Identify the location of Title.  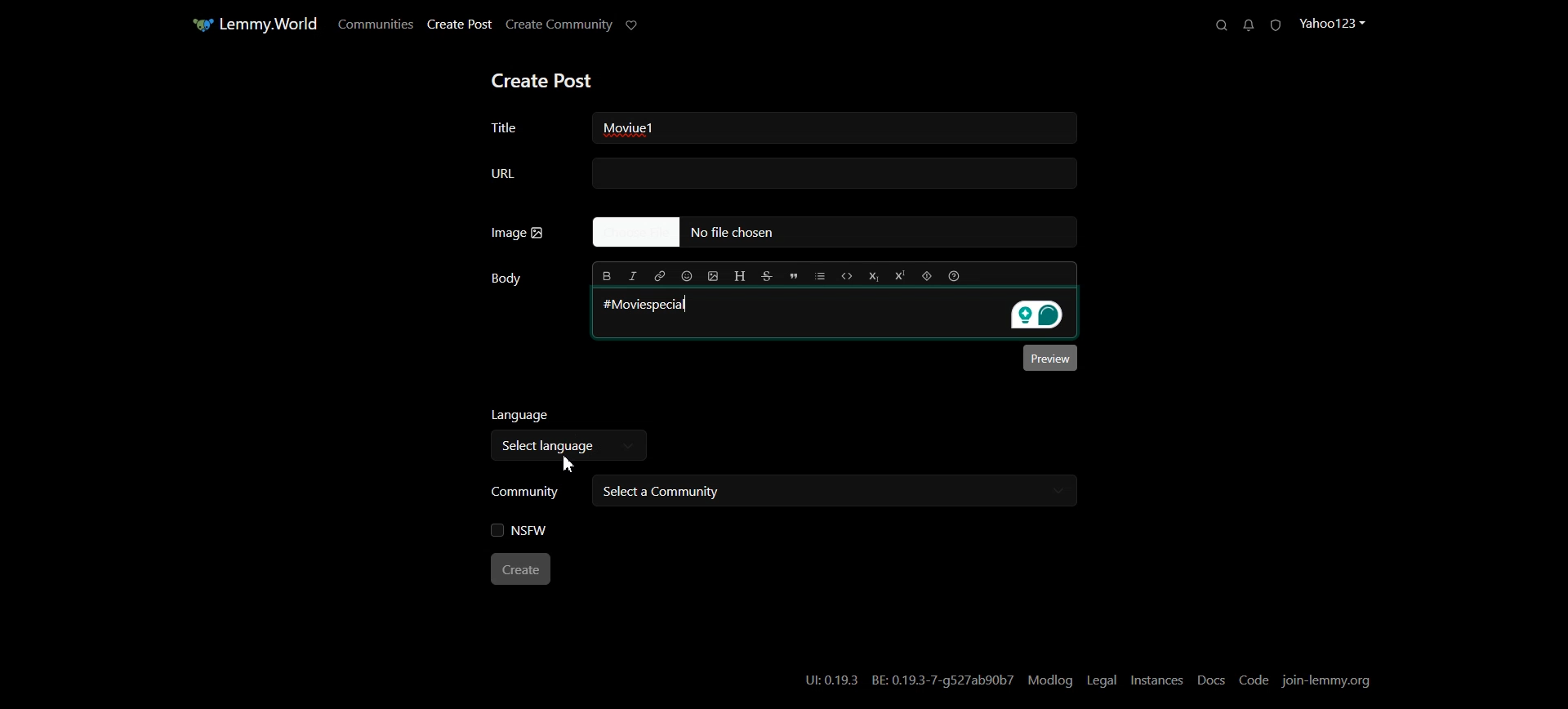
(523, 126).